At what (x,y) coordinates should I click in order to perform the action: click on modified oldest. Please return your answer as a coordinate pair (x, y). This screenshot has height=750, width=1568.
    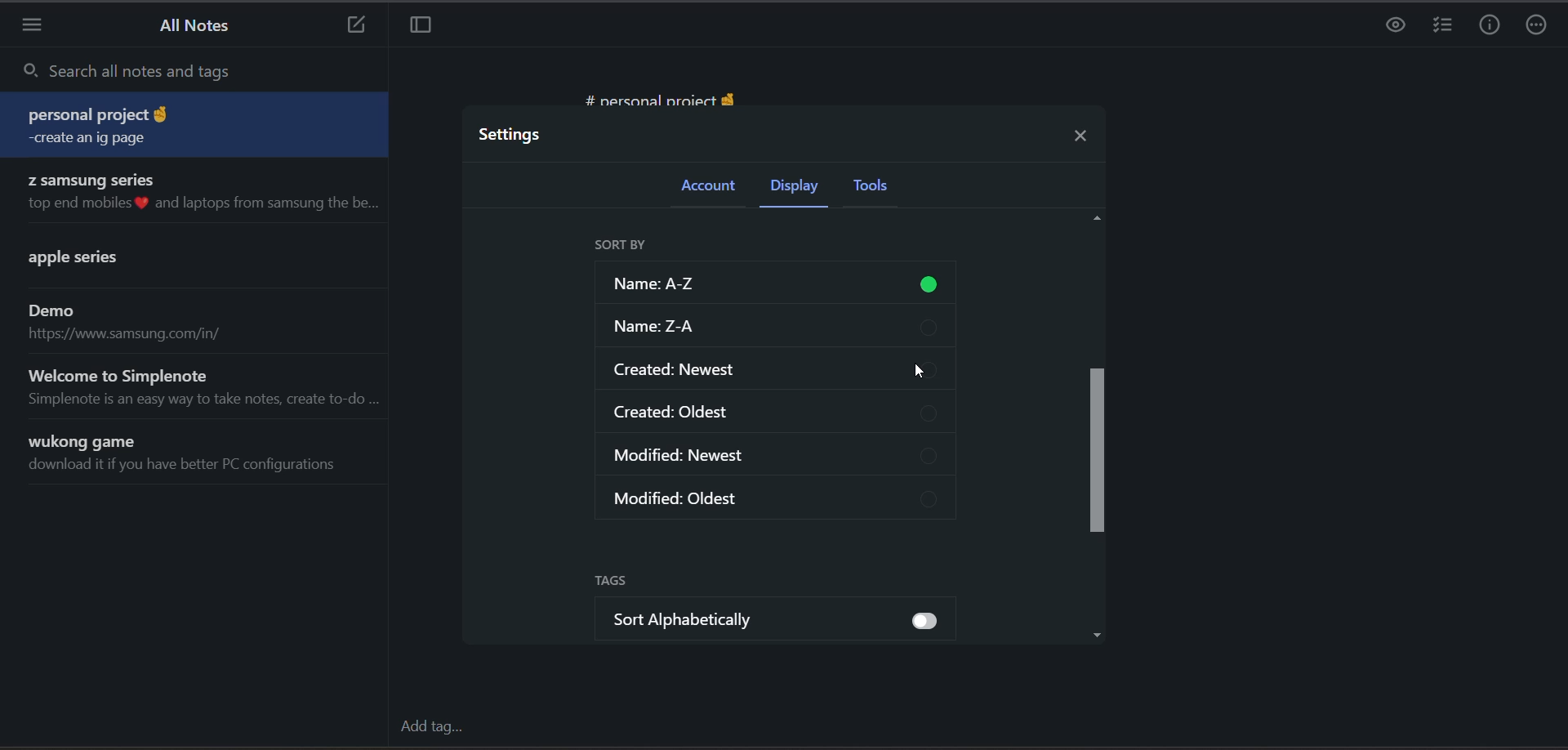
    Looking at the image, I should click on (779, 497).